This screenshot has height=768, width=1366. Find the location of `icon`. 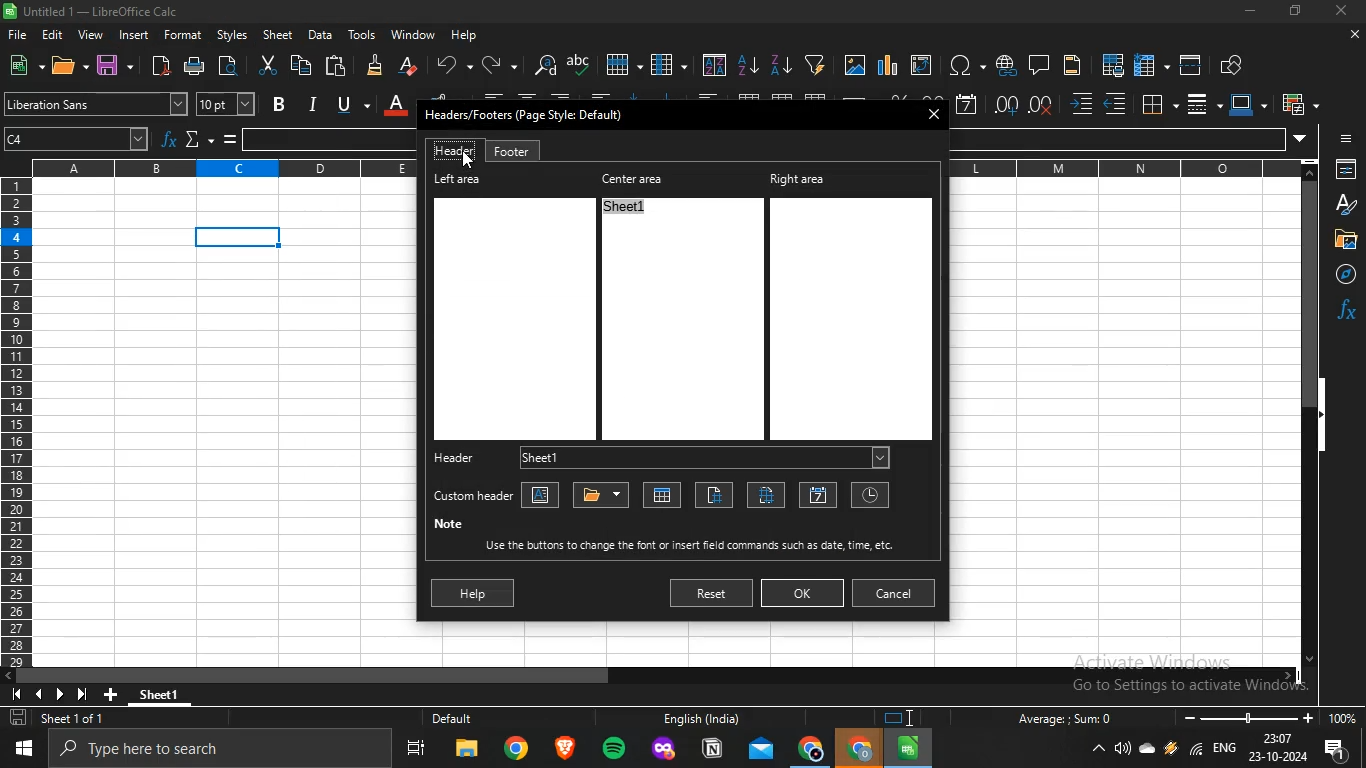

icon is located at coordinates (903, 718).